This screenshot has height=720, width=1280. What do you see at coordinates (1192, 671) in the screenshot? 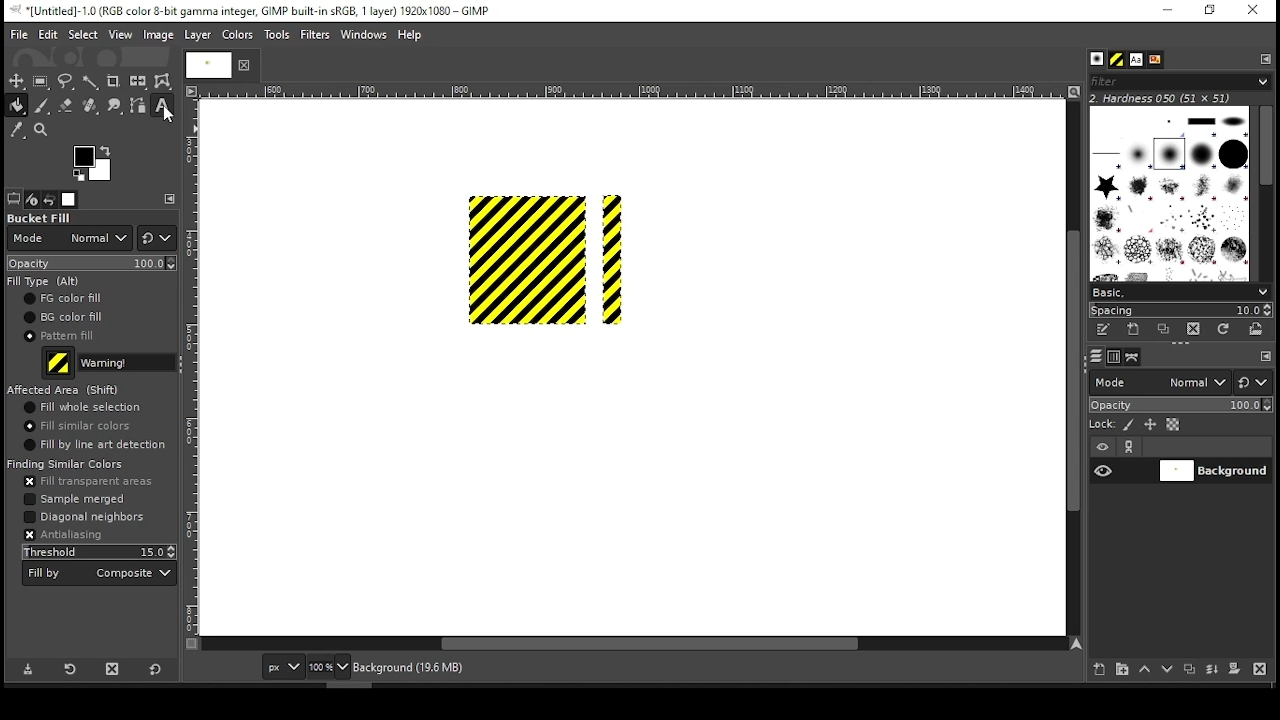
I see `duplicate layer` at bounding box center [1192, 671].